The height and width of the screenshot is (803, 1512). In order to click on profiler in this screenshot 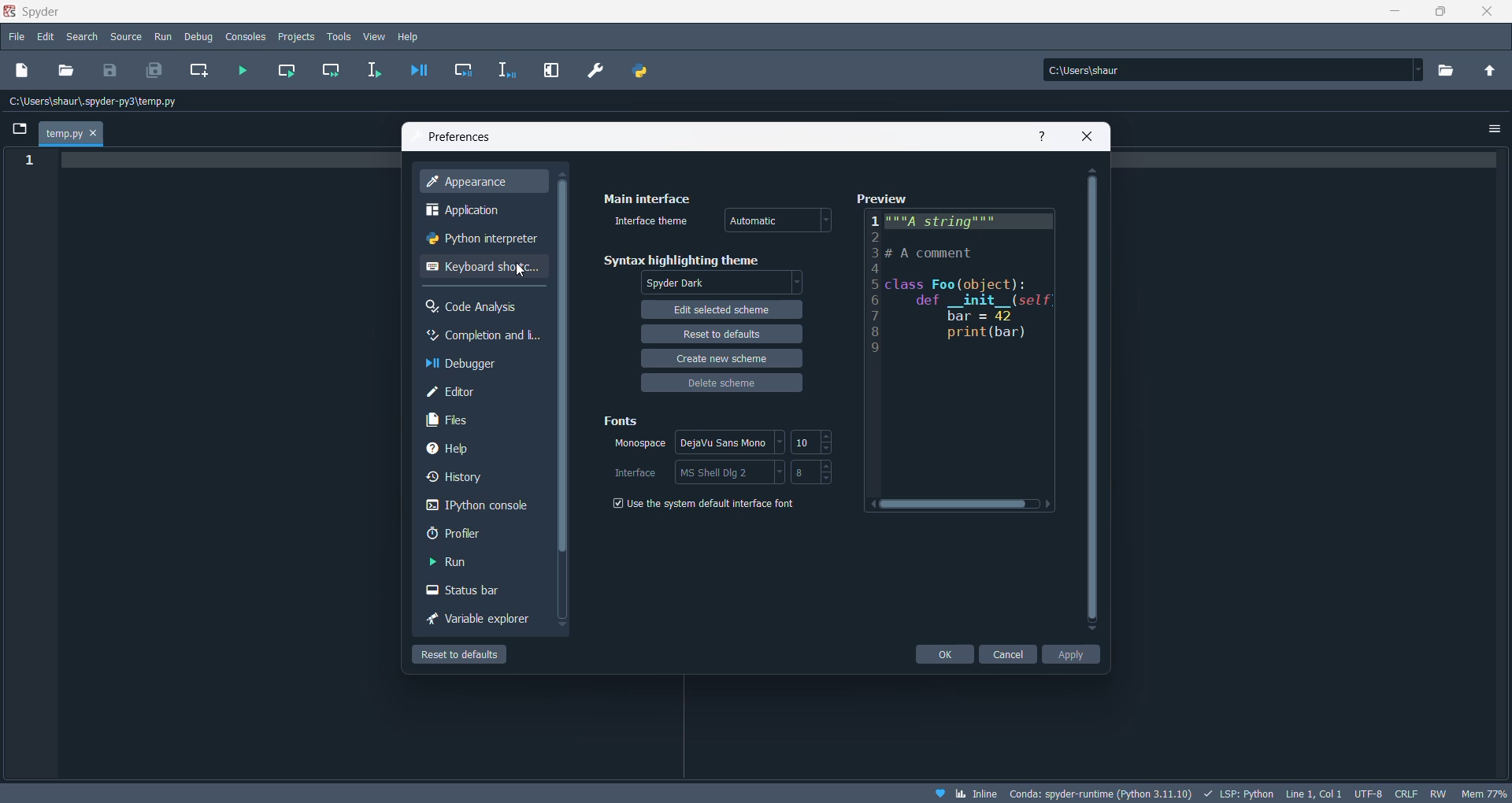, I will do `click(469, 537)`.